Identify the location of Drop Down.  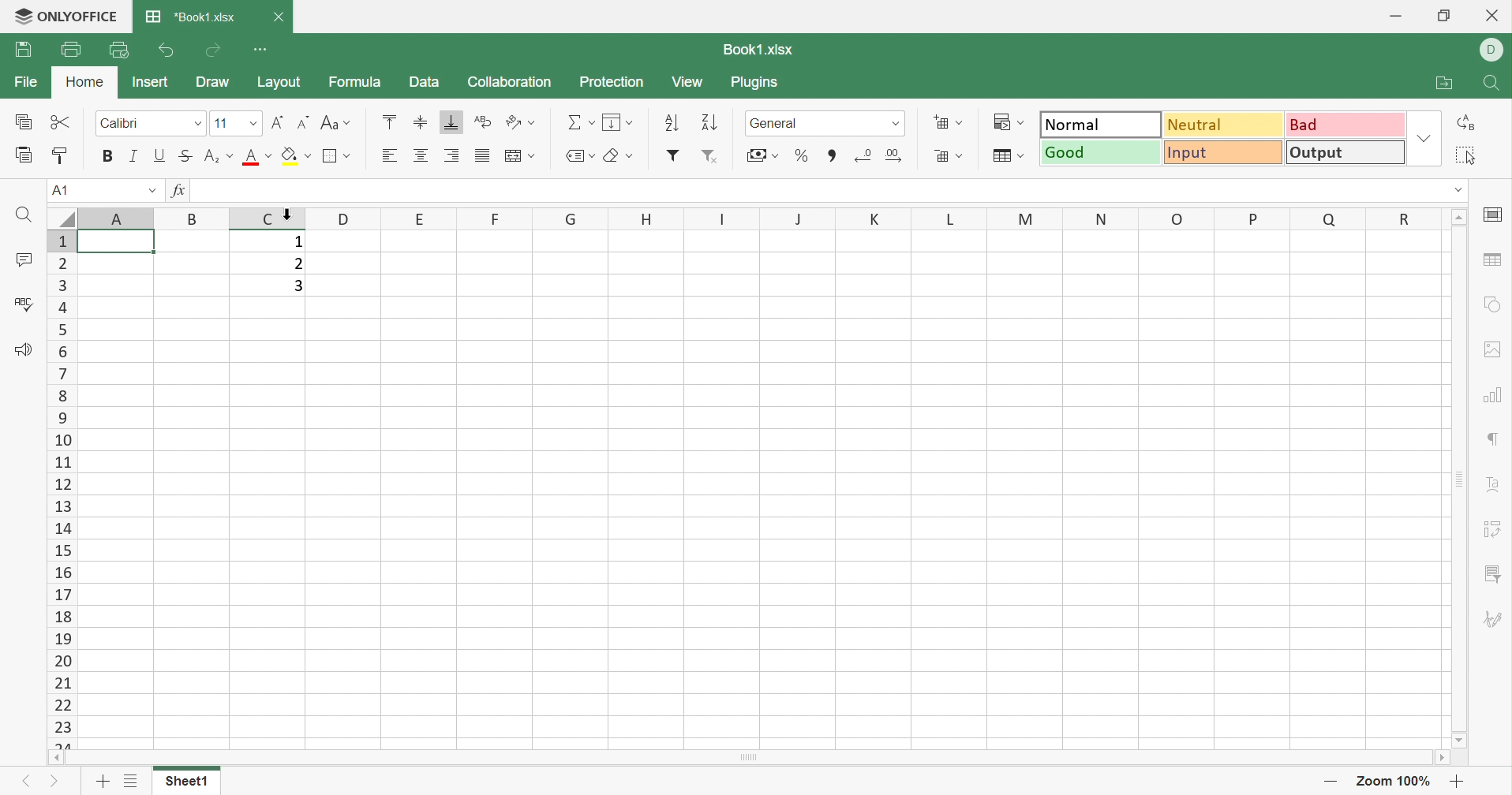
(1427, 137).